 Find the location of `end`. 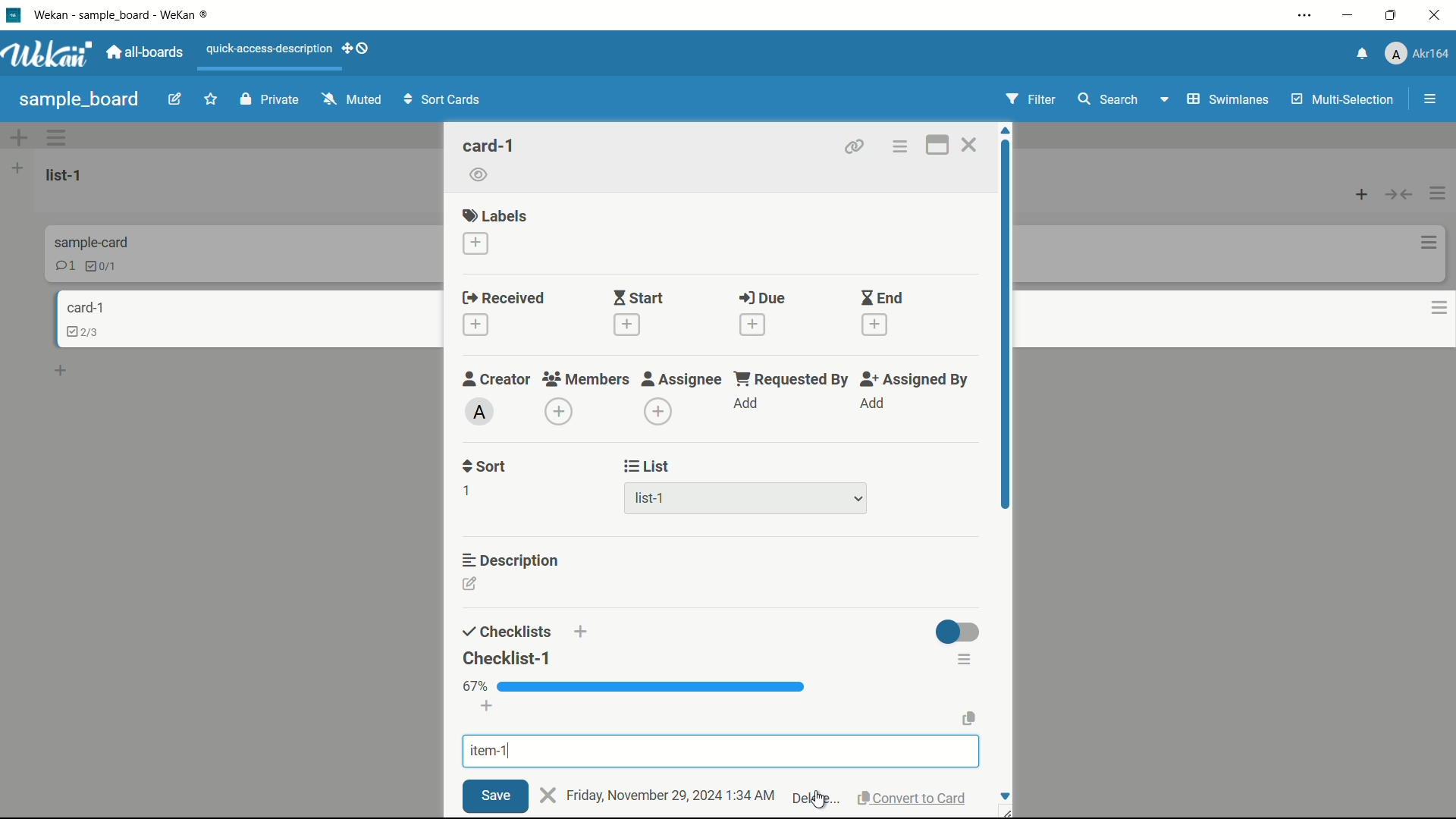

end is located at coordinates (883, 299).